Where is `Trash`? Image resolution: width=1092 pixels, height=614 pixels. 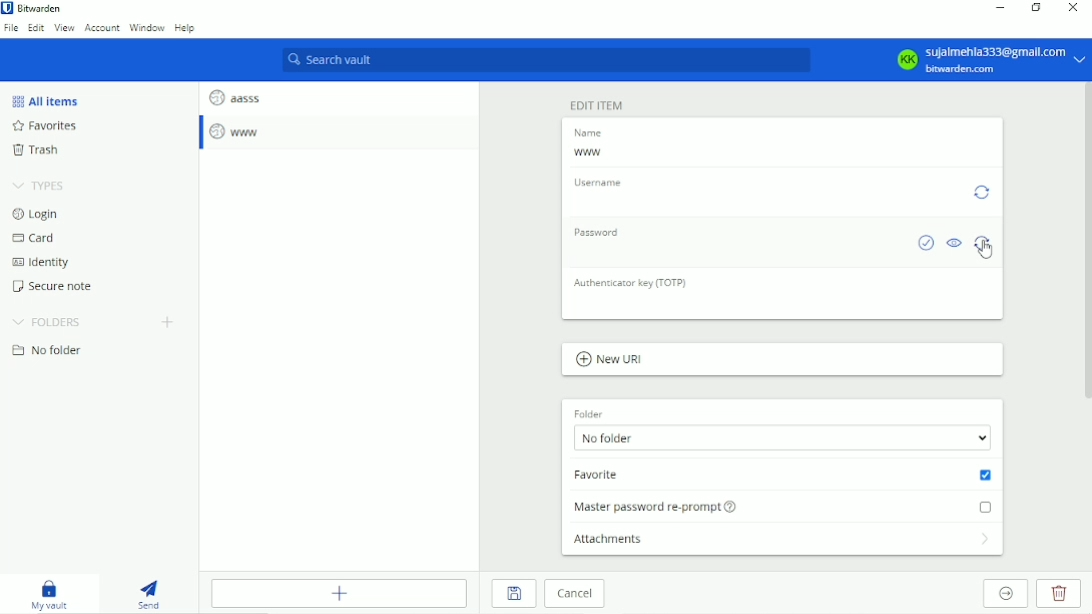 Trash is located at coordinates (35, 152).